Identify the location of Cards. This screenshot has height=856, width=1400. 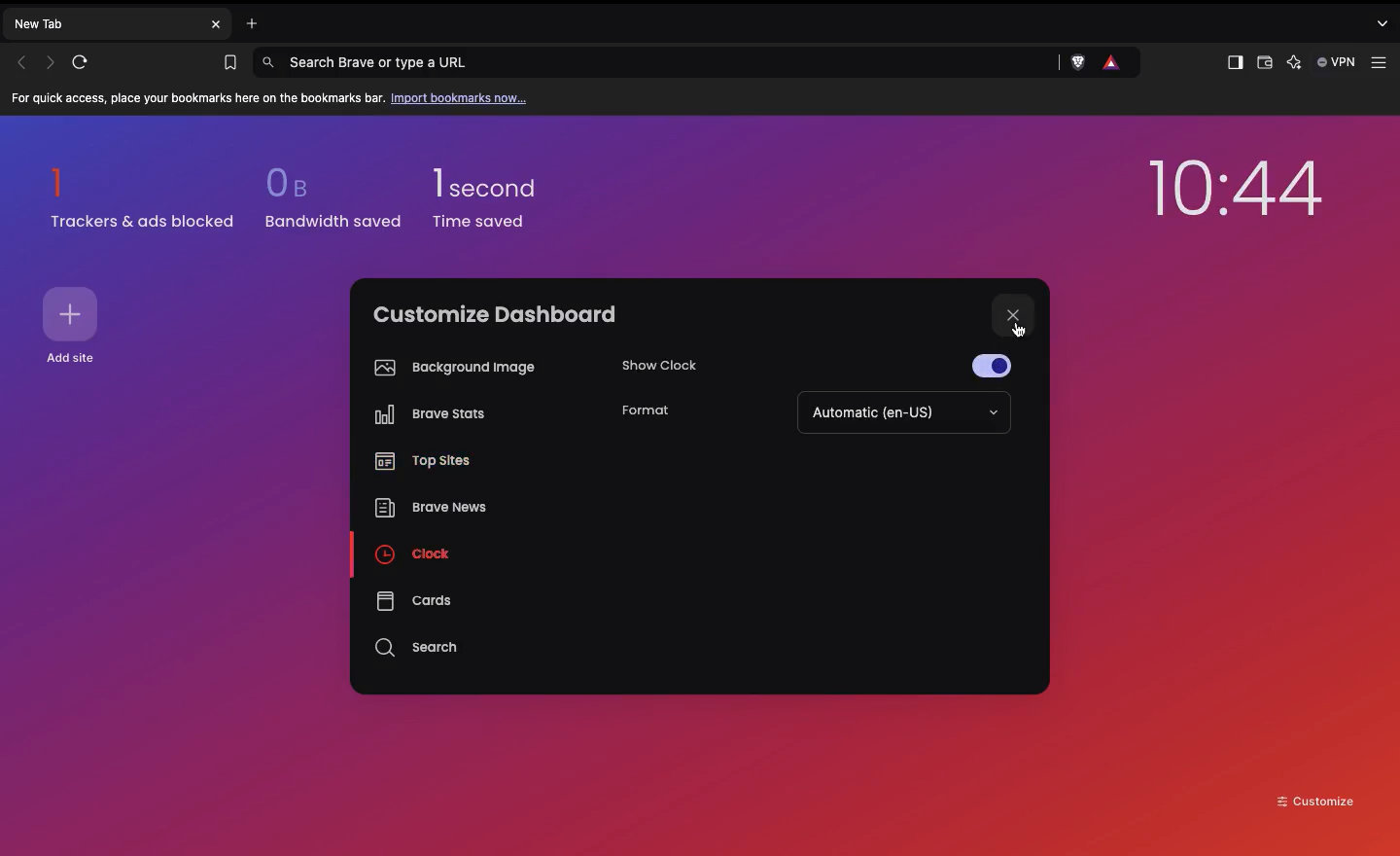
(413, 600).